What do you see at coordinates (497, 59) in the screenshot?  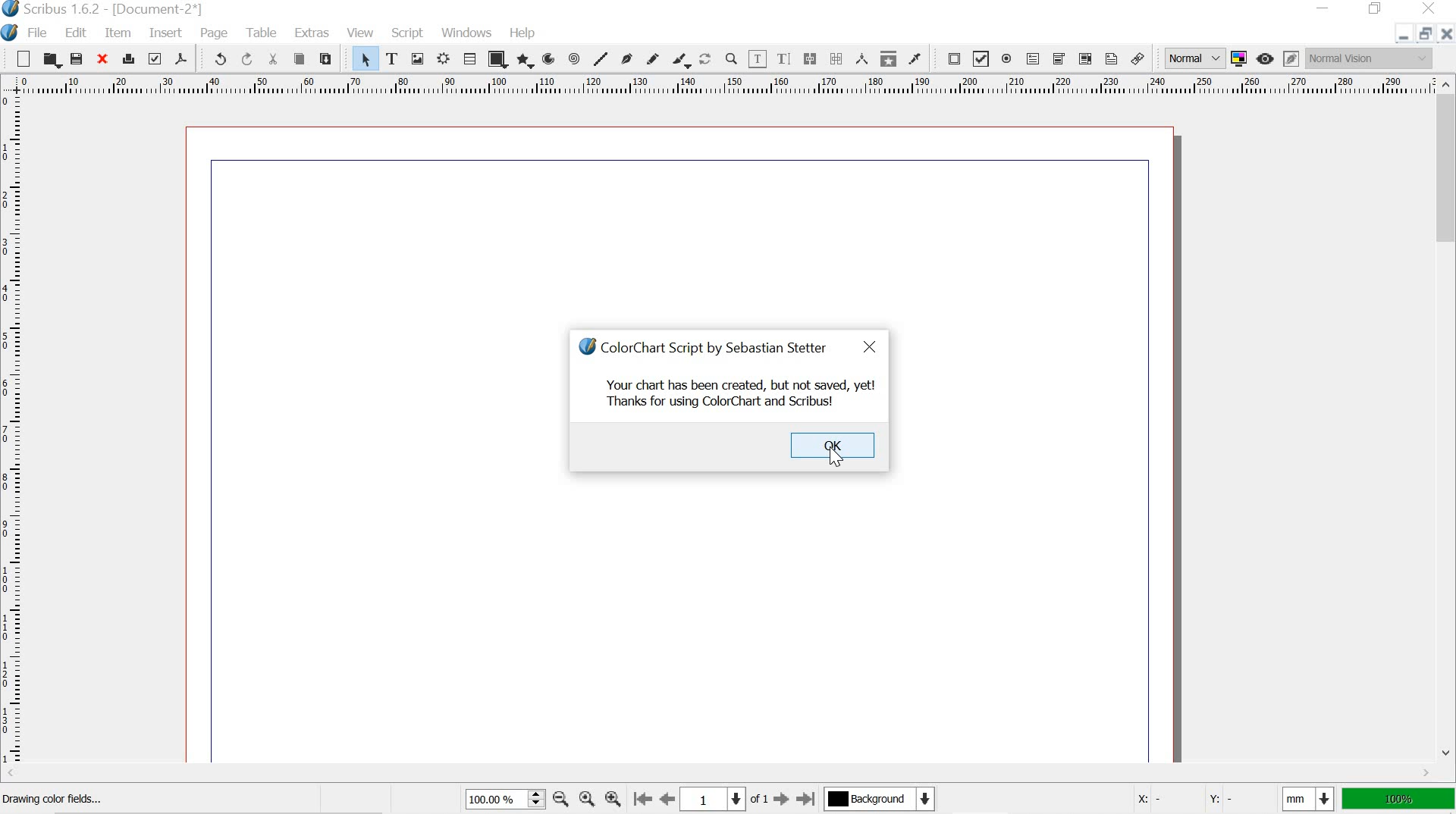 I see `shape` at bounding box center [497, 59].